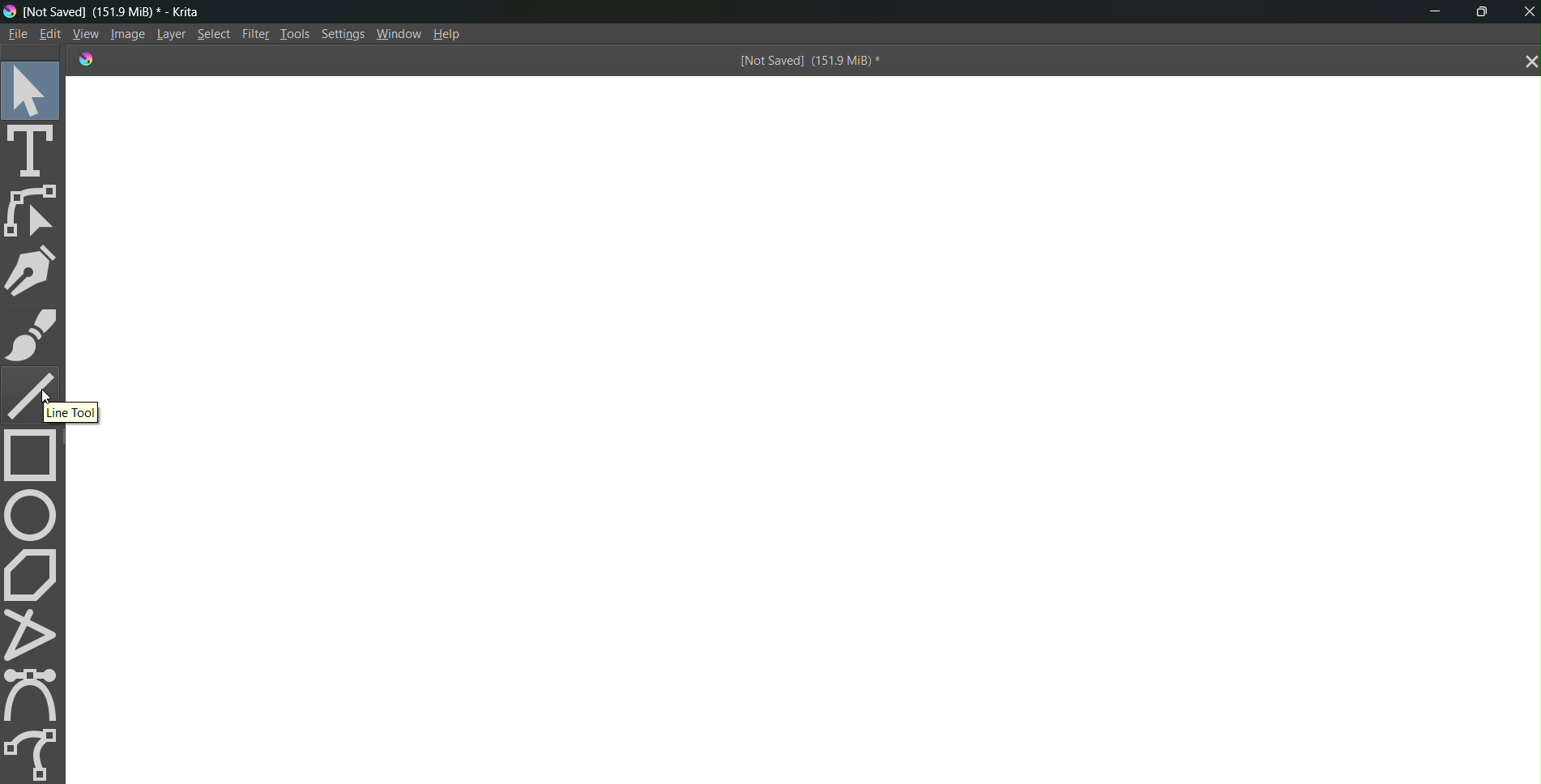  What do you see at coordinates (454, 34) in the screenshot?
I see `Help` at bounding box center [454, 34].